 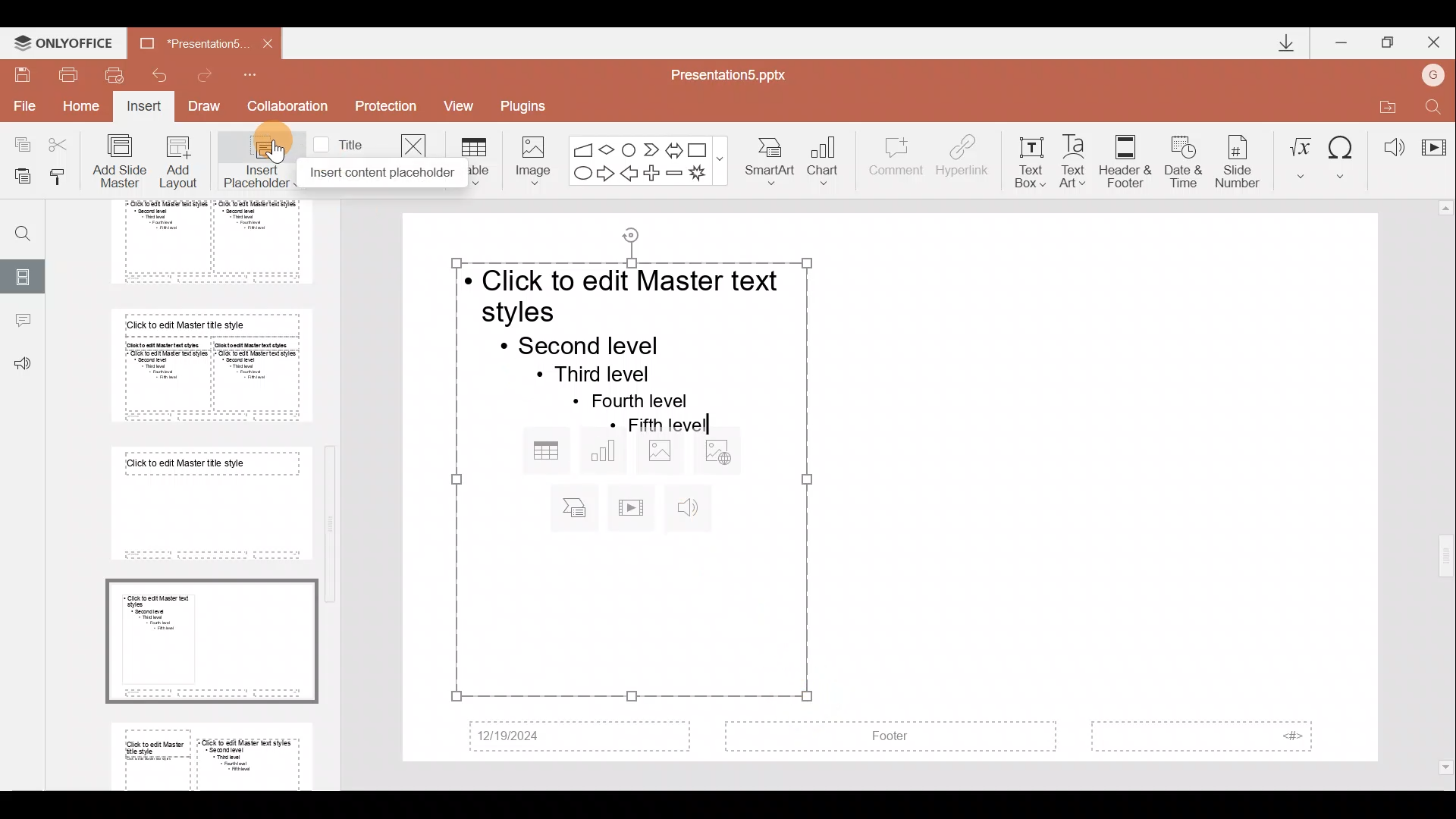 I want to click on Open file location, so click(x=1384, y=104).